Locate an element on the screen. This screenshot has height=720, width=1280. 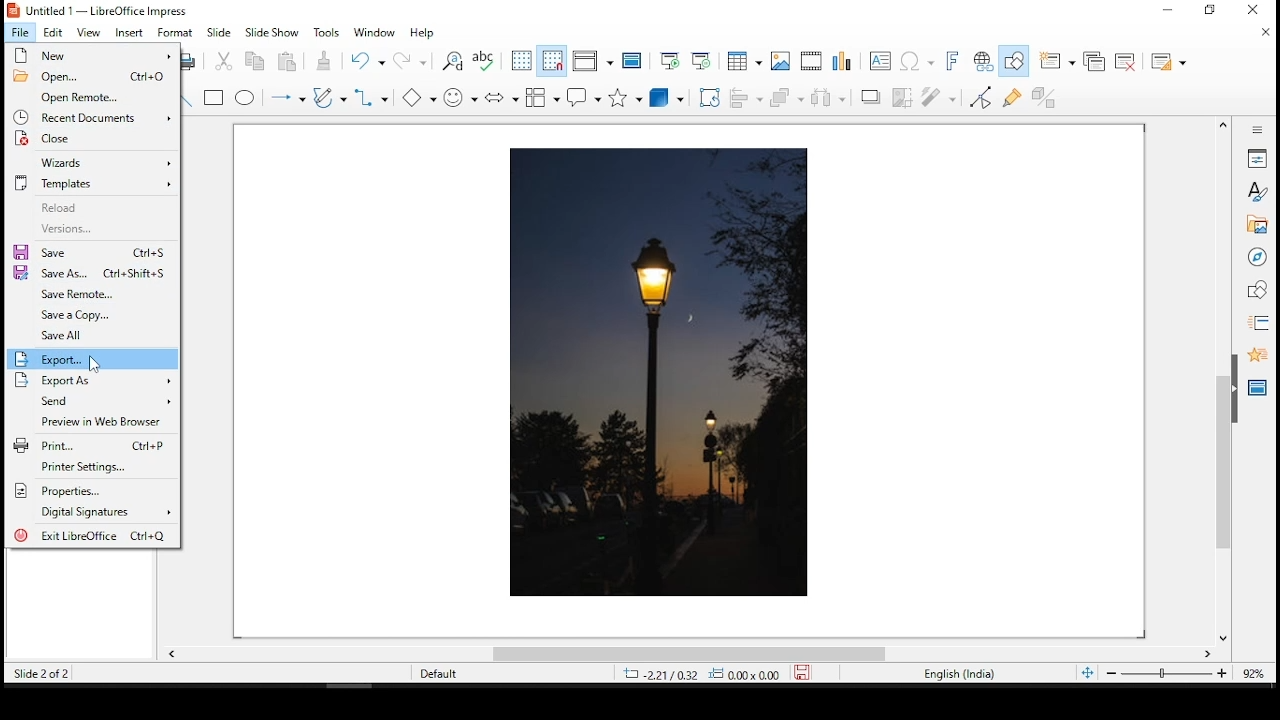
properties is located at coordinates (95, 491).